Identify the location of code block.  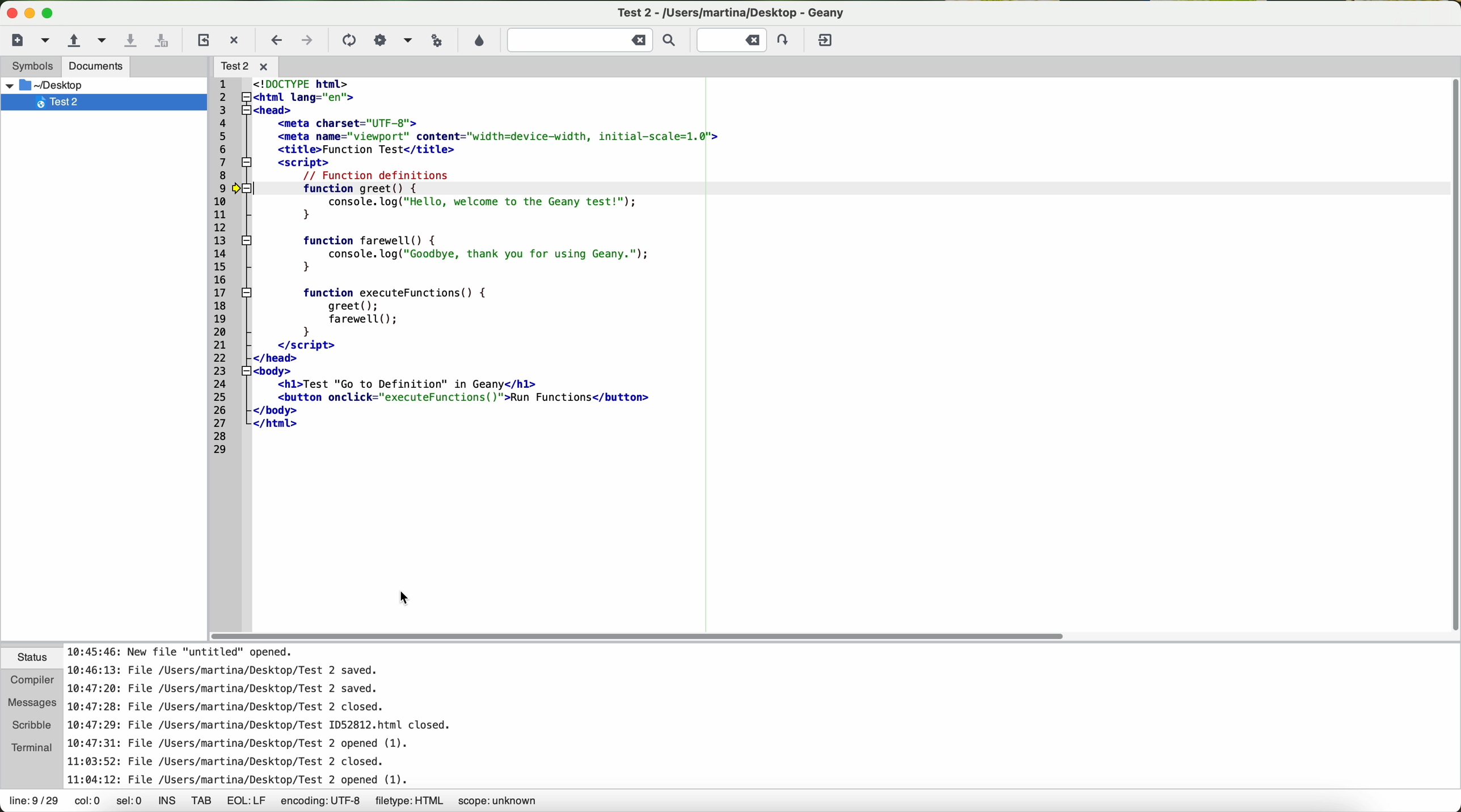
(456, 329).